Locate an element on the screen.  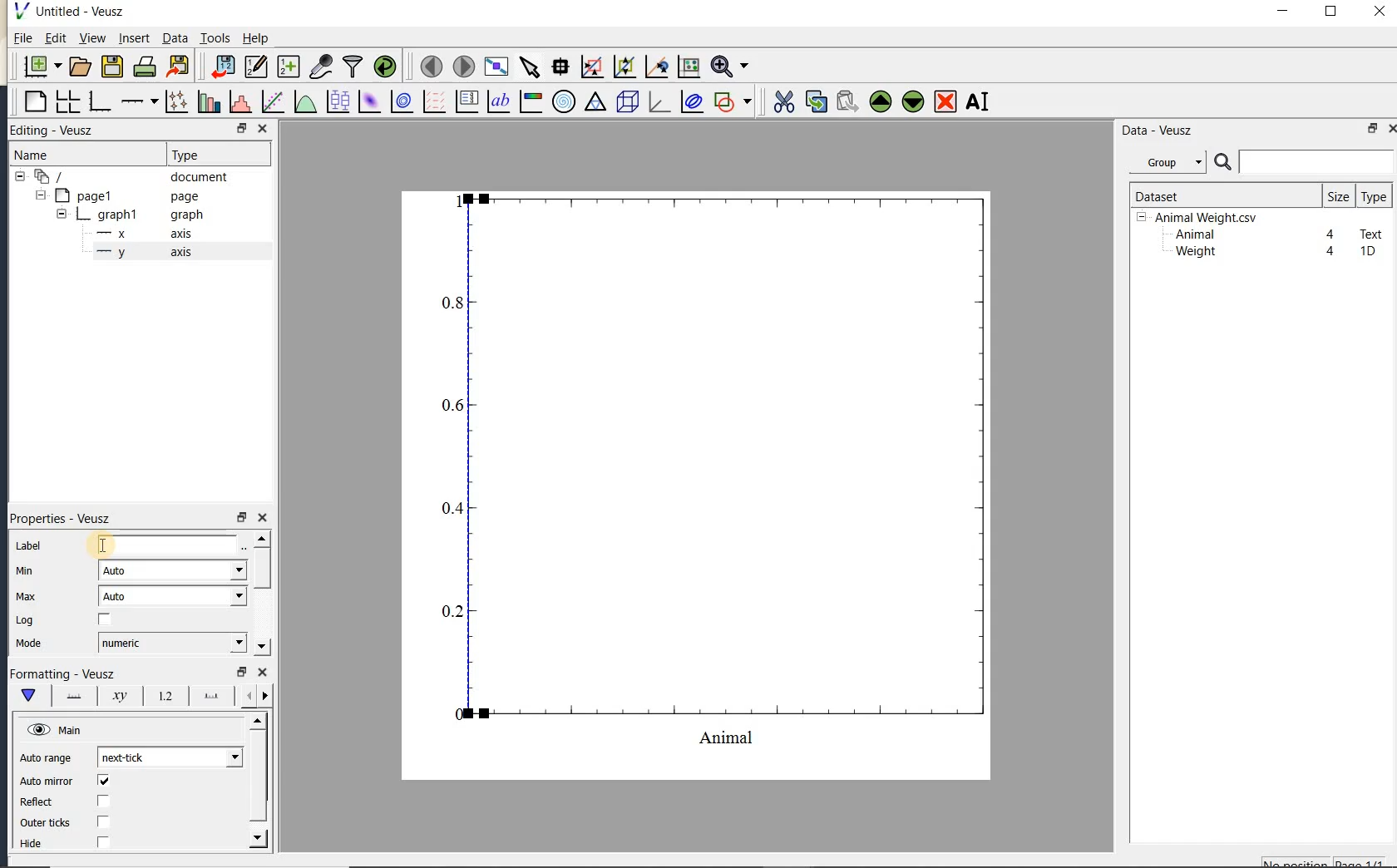
cut the selected widget is located at coordinates (782, 102).